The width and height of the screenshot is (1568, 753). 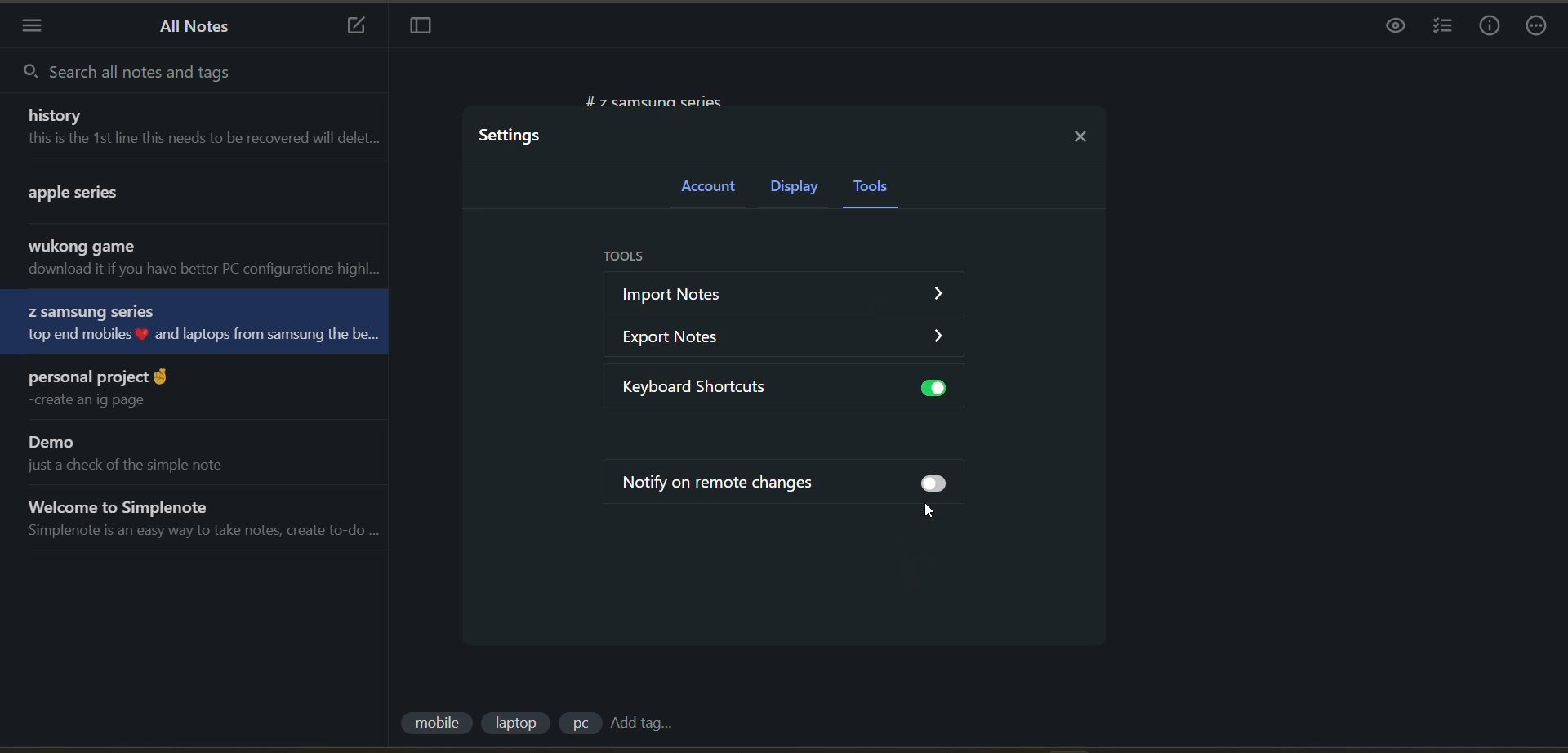 What do you see at coordinates (35, 26) in the screenshot?
I see `menu` at bounding box center [35, 26].